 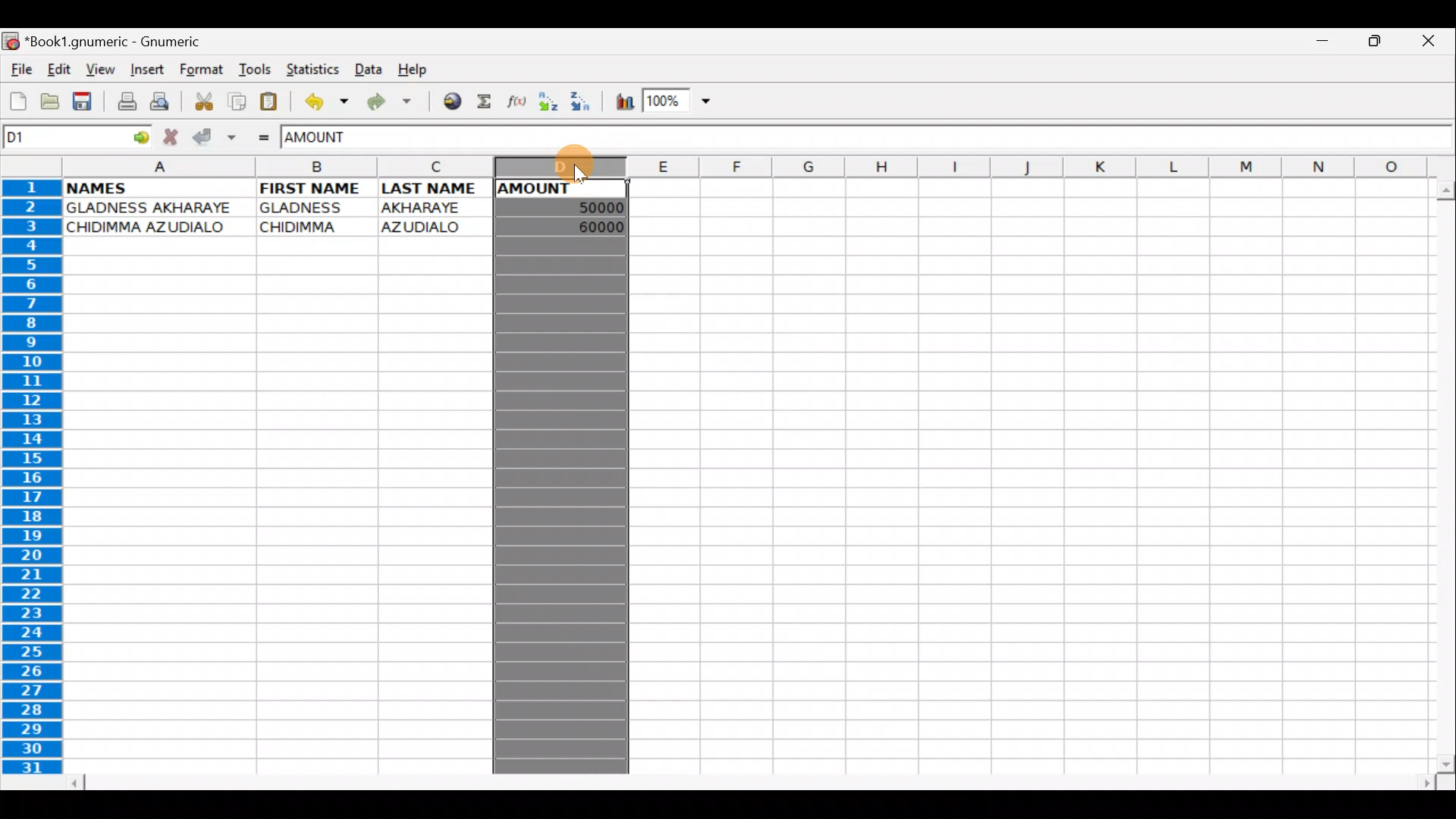 What do you see at coordinates (250, 71) in the screenshot?
I see `Tools` at bounding box center [250, 71].